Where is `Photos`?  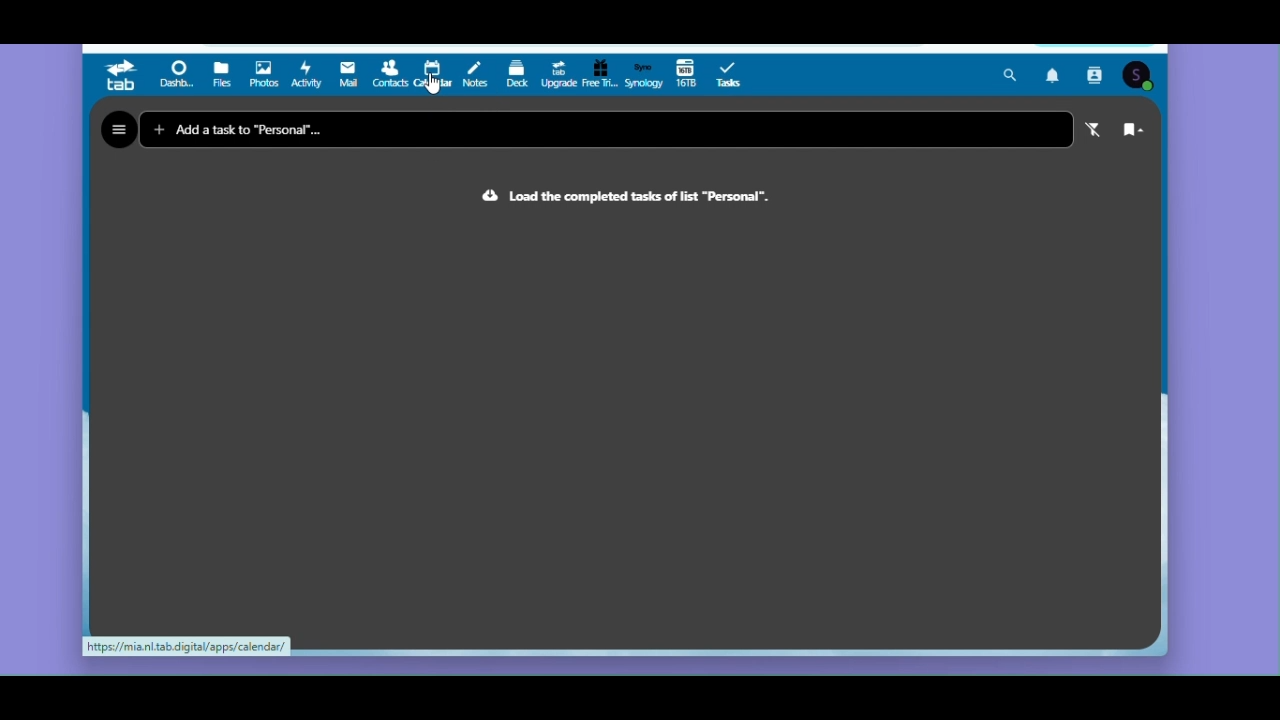
Photos is located at coordinates (263, 75).